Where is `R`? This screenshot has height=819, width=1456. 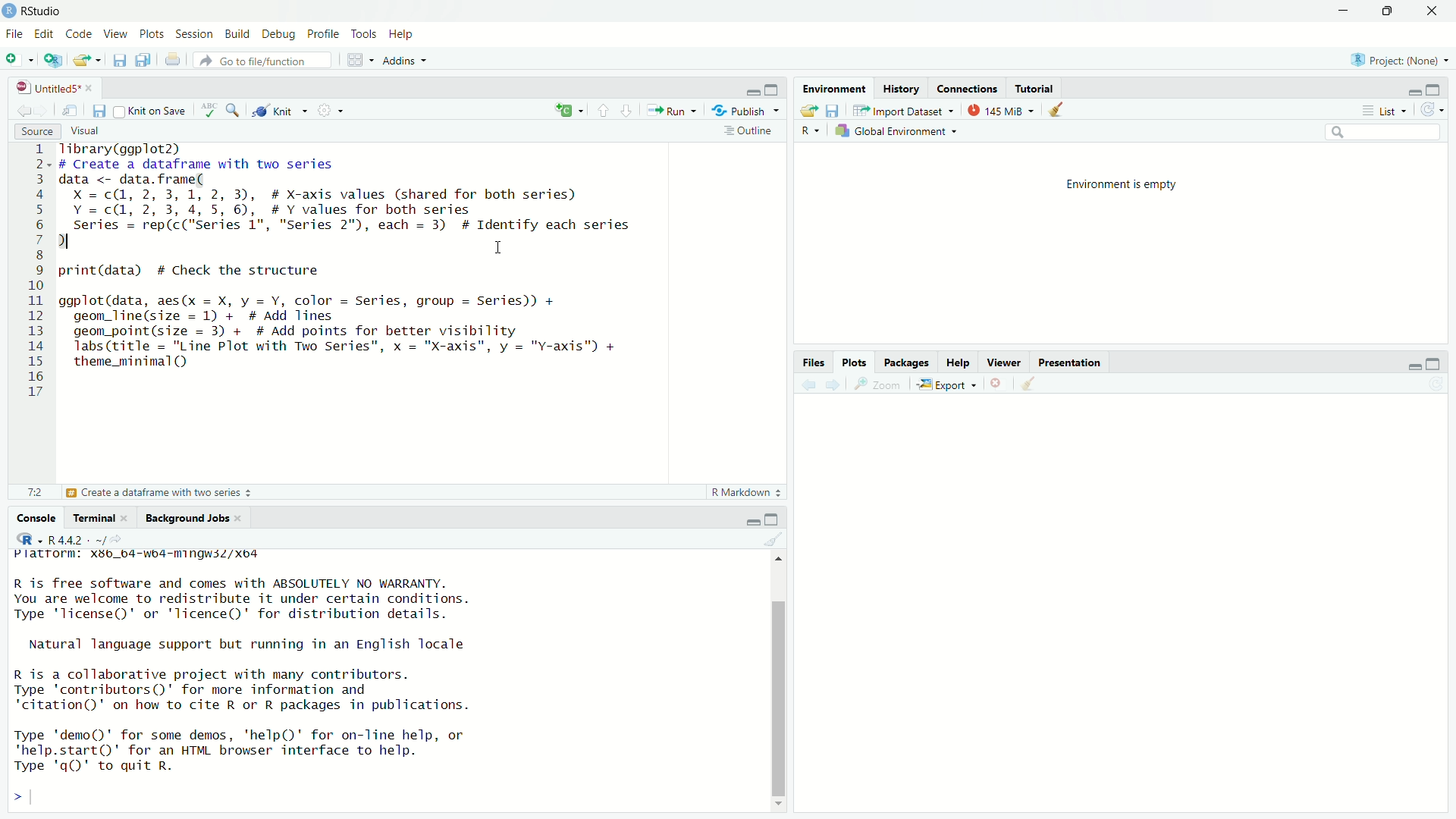
R is located at coordinates (811, 132).